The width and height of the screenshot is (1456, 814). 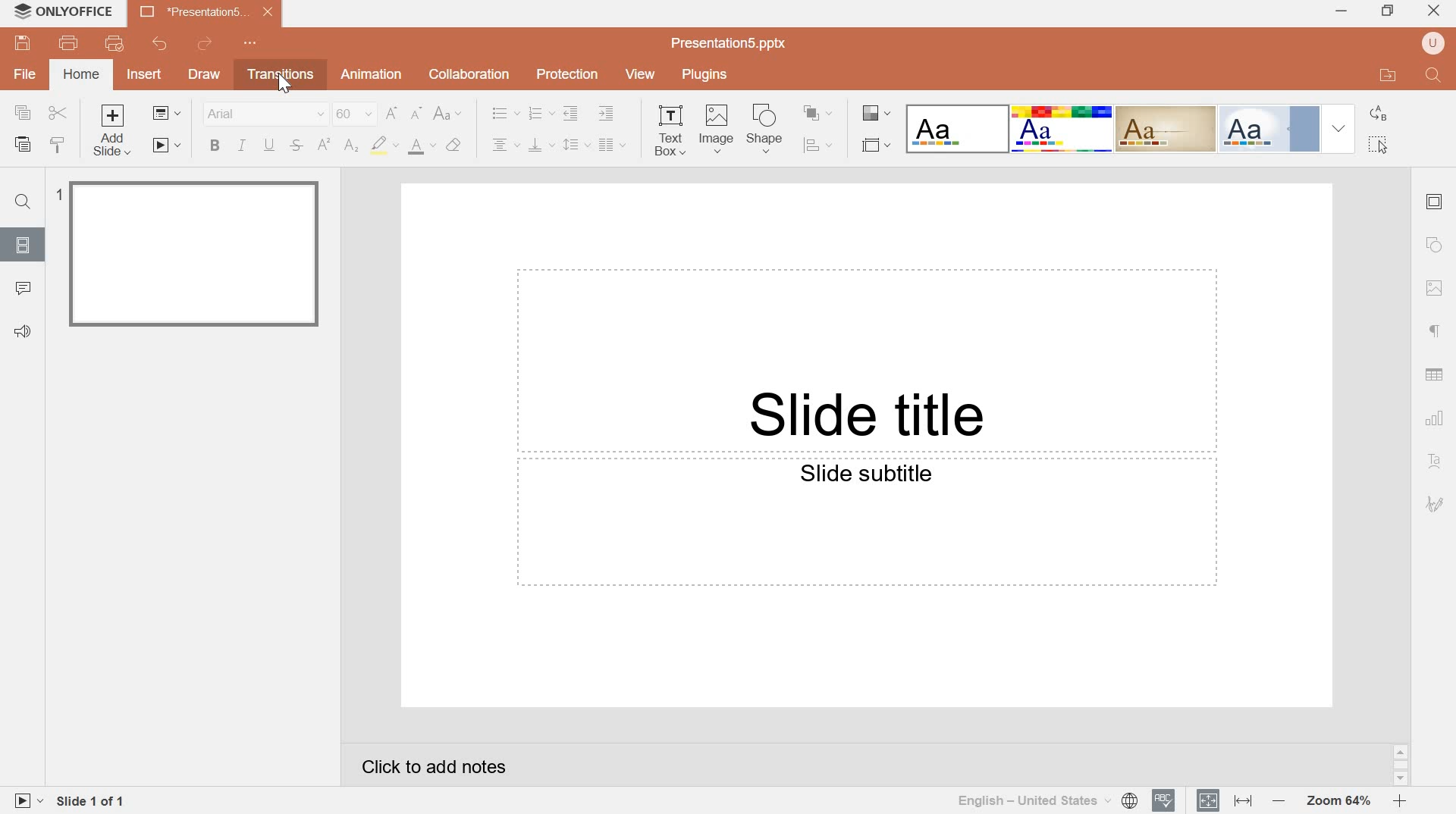 I want to click on start slideshow, so click(x=167, y=147).